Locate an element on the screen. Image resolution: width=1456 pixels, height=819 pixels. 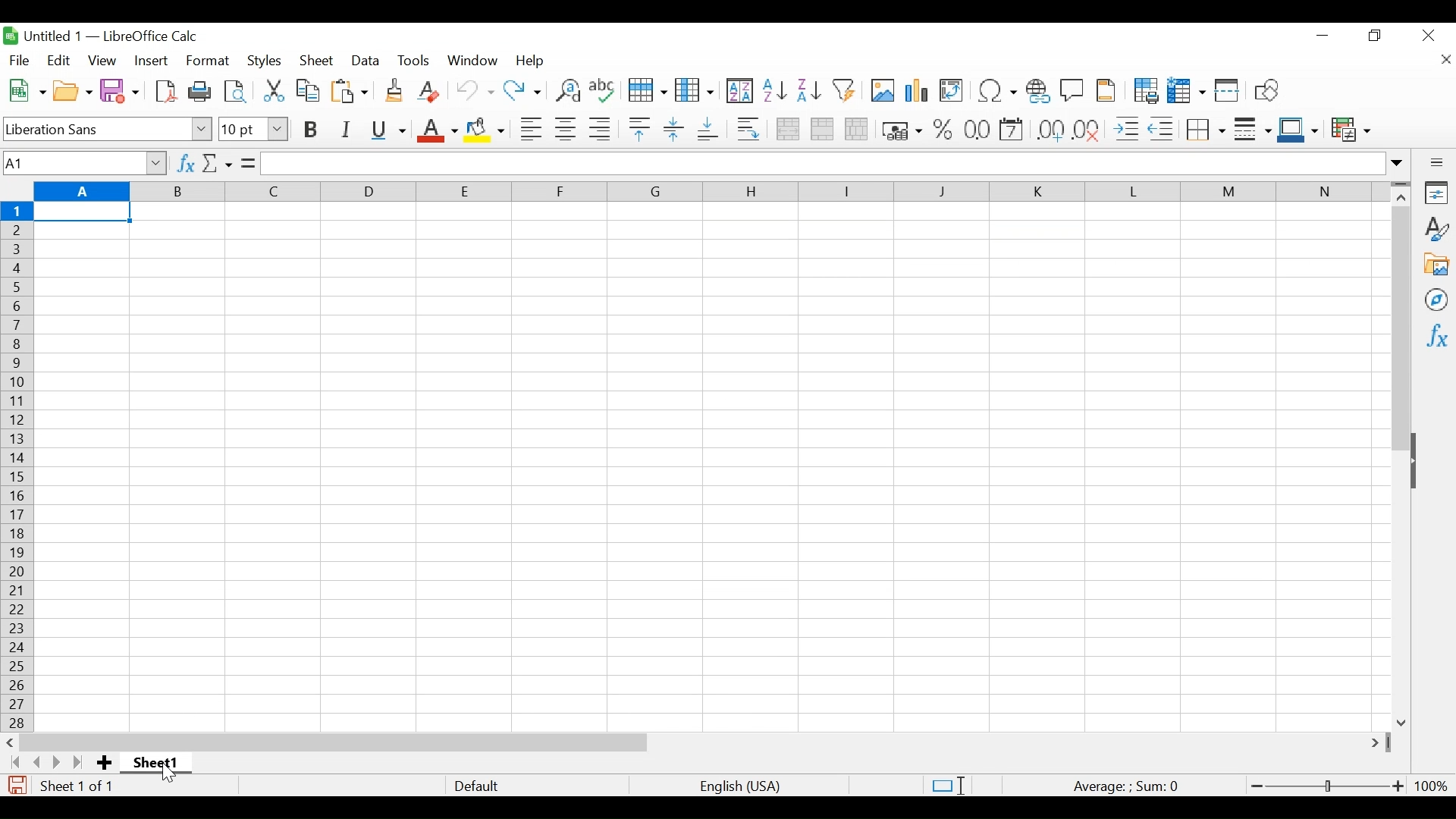
Align Top is located at coordinates (639, 129).